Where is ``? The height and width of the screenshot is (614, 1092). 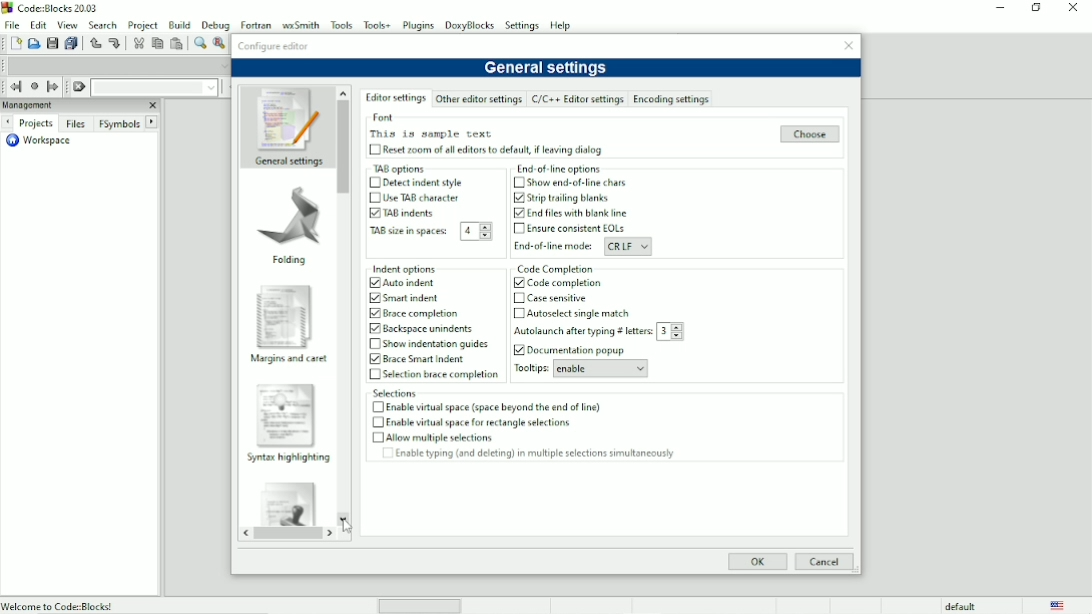  is located at coordinates (376, 422).